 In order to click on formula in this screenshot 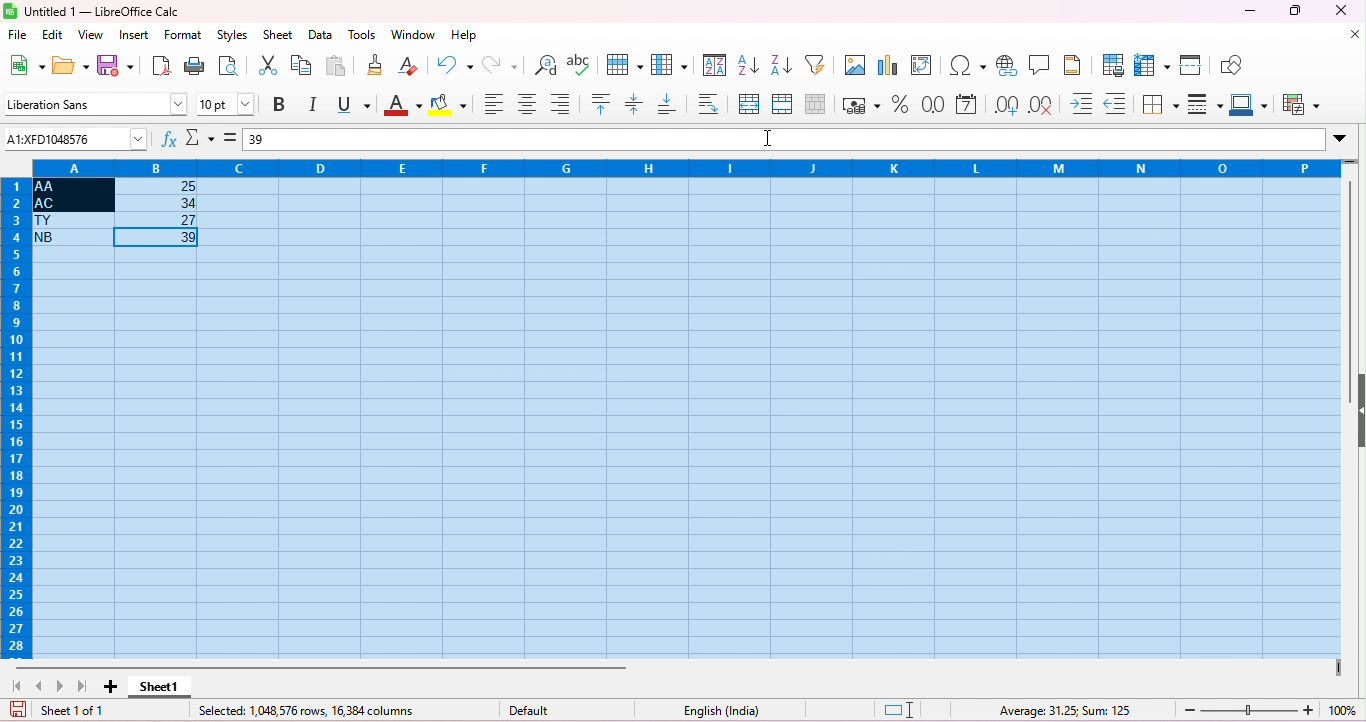, I will do `click(1066, 710)`.